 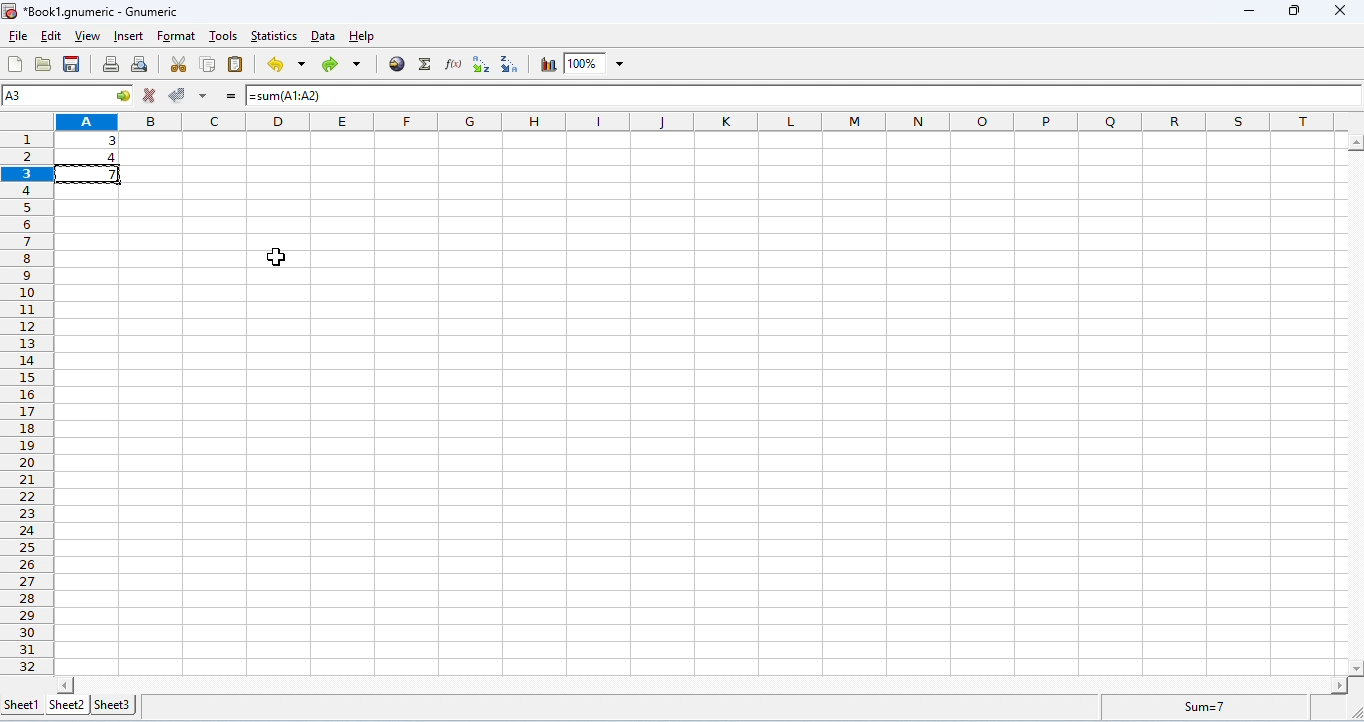 I want to click on function wizard, so click(x=452, y=64).